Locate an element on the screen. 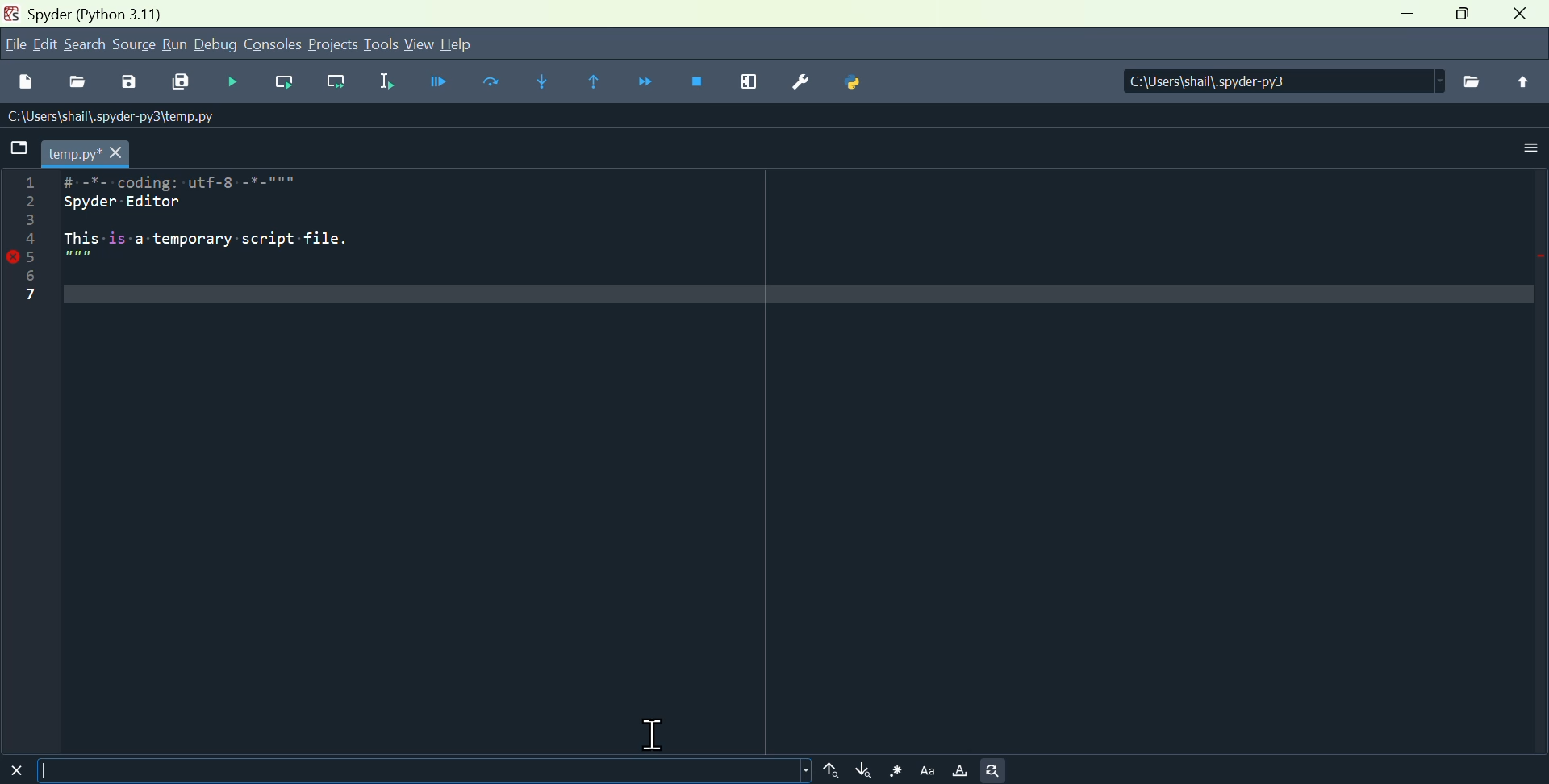  Directory is located at coordinates (1280, 80).